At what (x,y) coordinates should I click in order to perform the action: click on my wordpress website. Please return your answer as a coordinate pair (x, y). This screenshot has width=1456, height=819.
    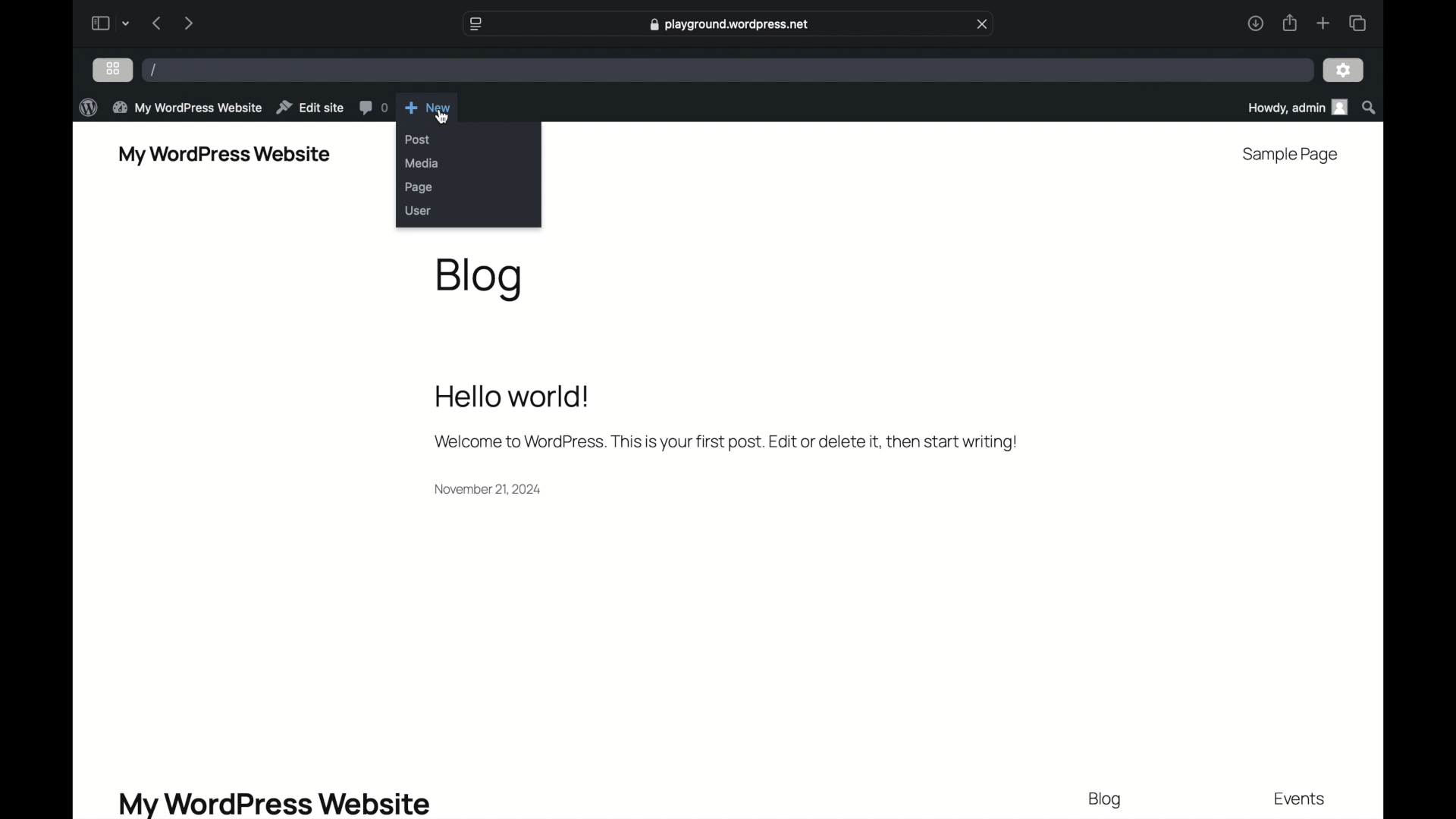
    Looking at the image, I should click on (187, 107).